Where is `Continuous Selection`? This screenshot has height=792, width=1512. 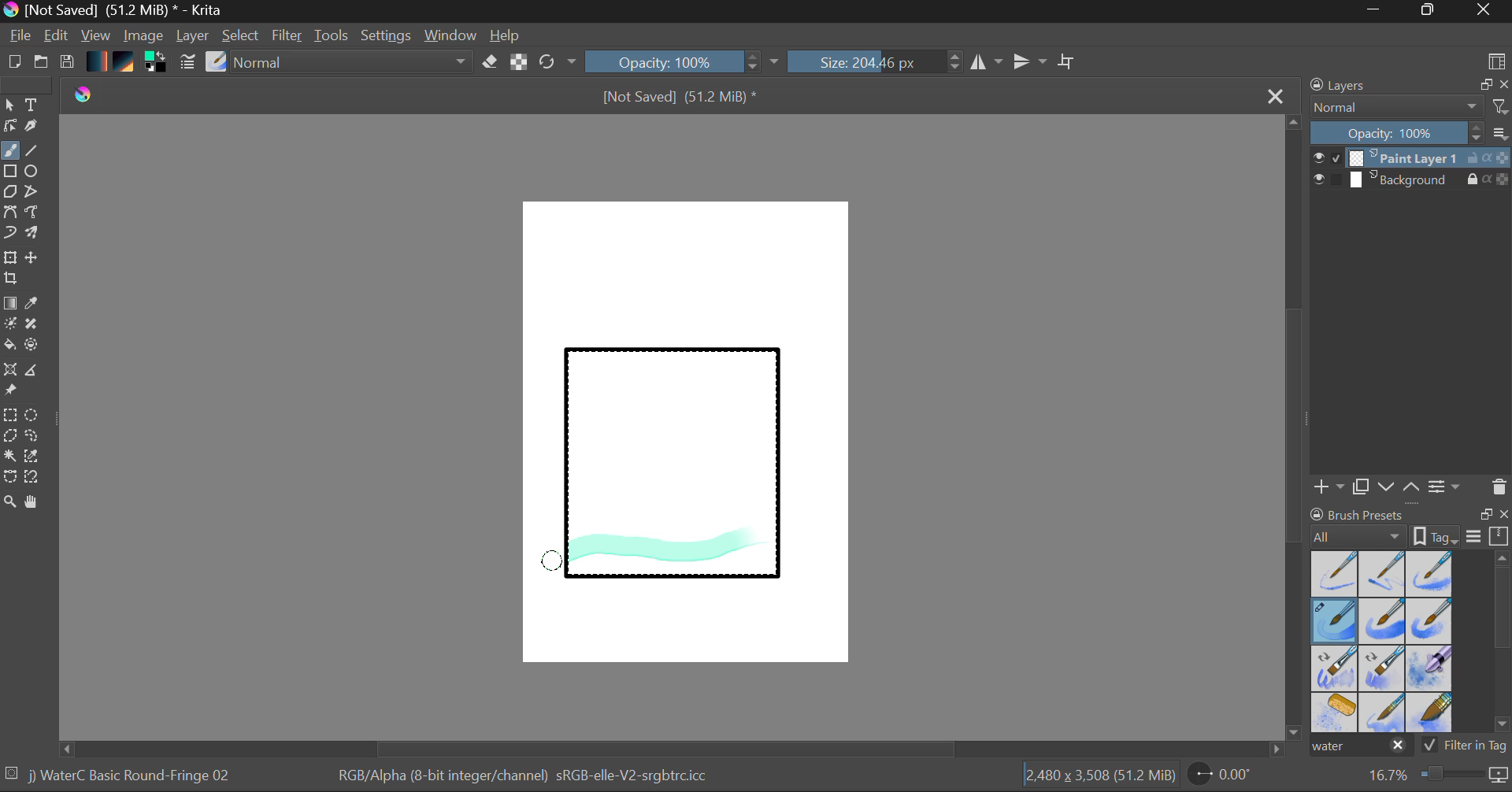
Continuous Selection is located at coordinates (9, 455).